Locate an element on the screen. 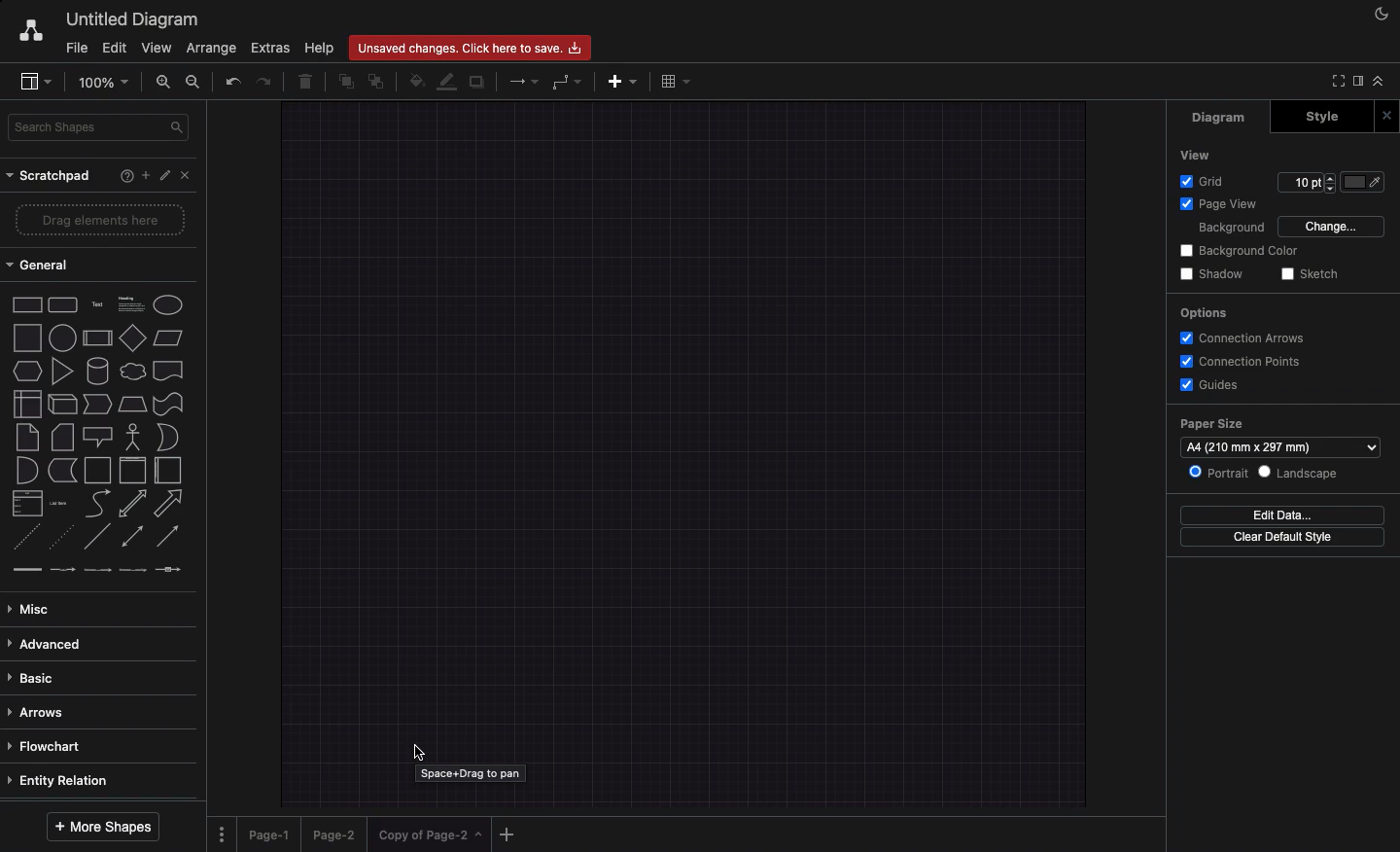  Options is located at coordinates (1204, 313).